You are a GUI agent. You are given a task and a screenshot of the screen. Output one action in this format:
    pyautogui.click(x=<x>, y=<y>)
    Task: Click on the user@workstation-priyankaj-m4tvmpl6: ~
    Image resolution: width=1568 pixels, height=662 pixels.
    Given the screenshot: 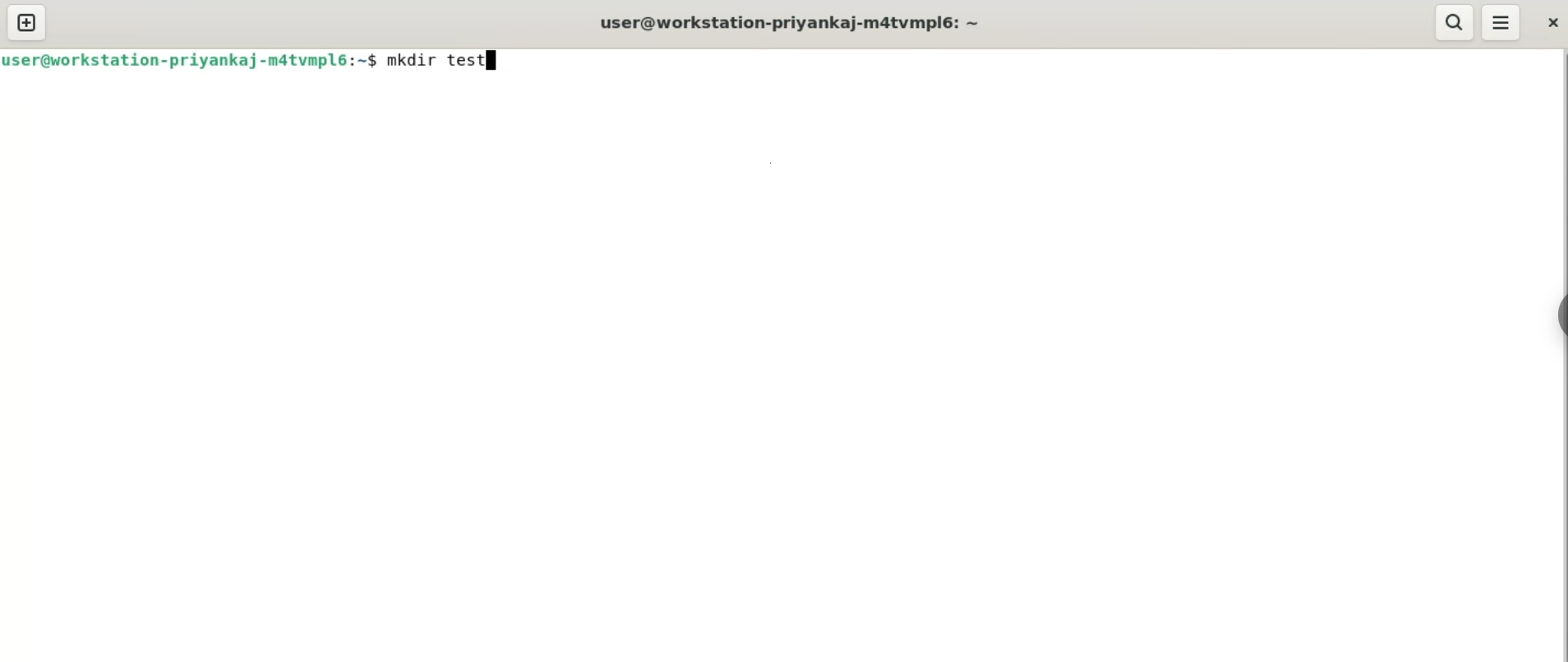 What is the action you would take?
    pyautogui.click(x=795, y=22)
    